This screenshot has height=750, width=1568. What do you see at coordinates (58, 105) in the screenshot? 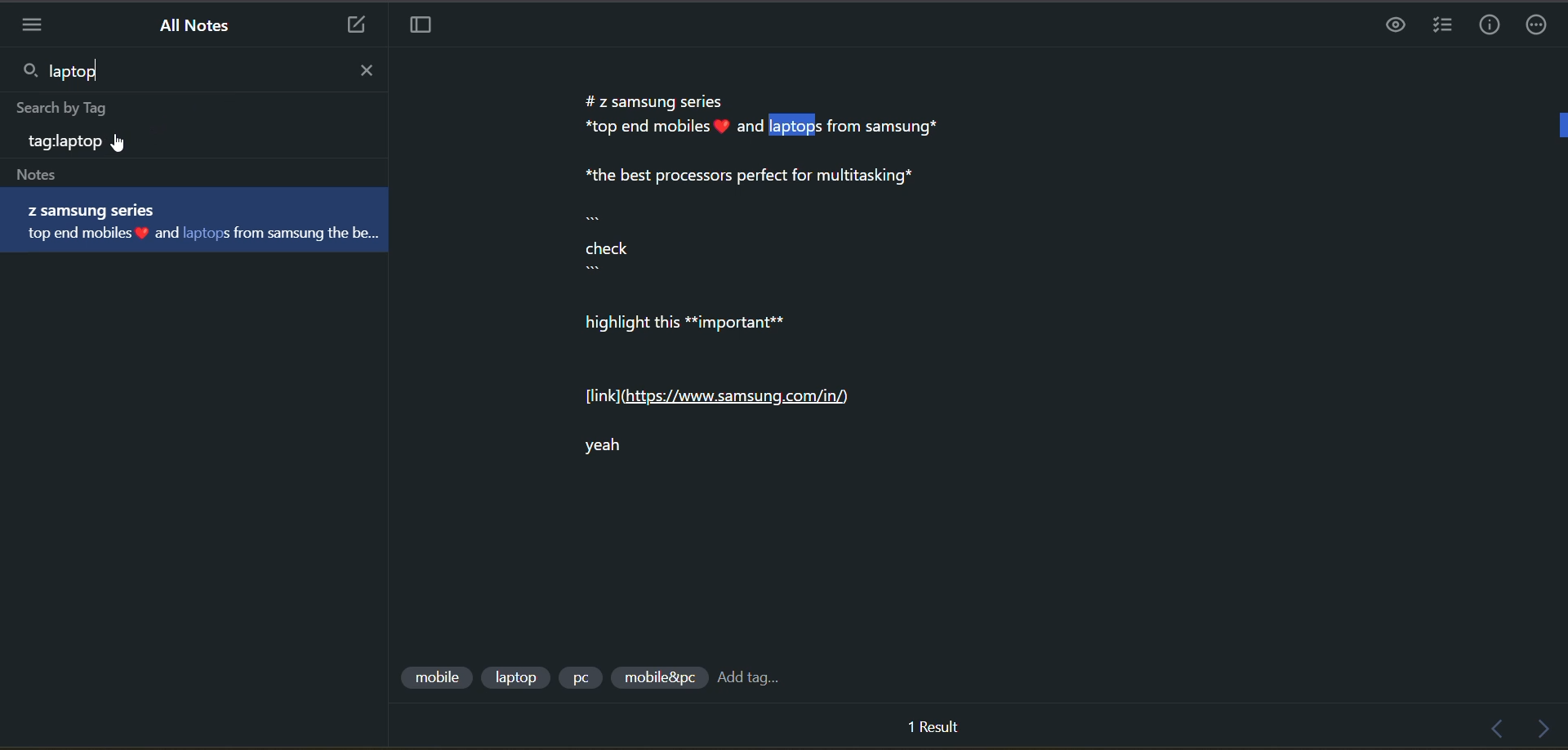
I see `search by tag` at bounding box center [58, 105].